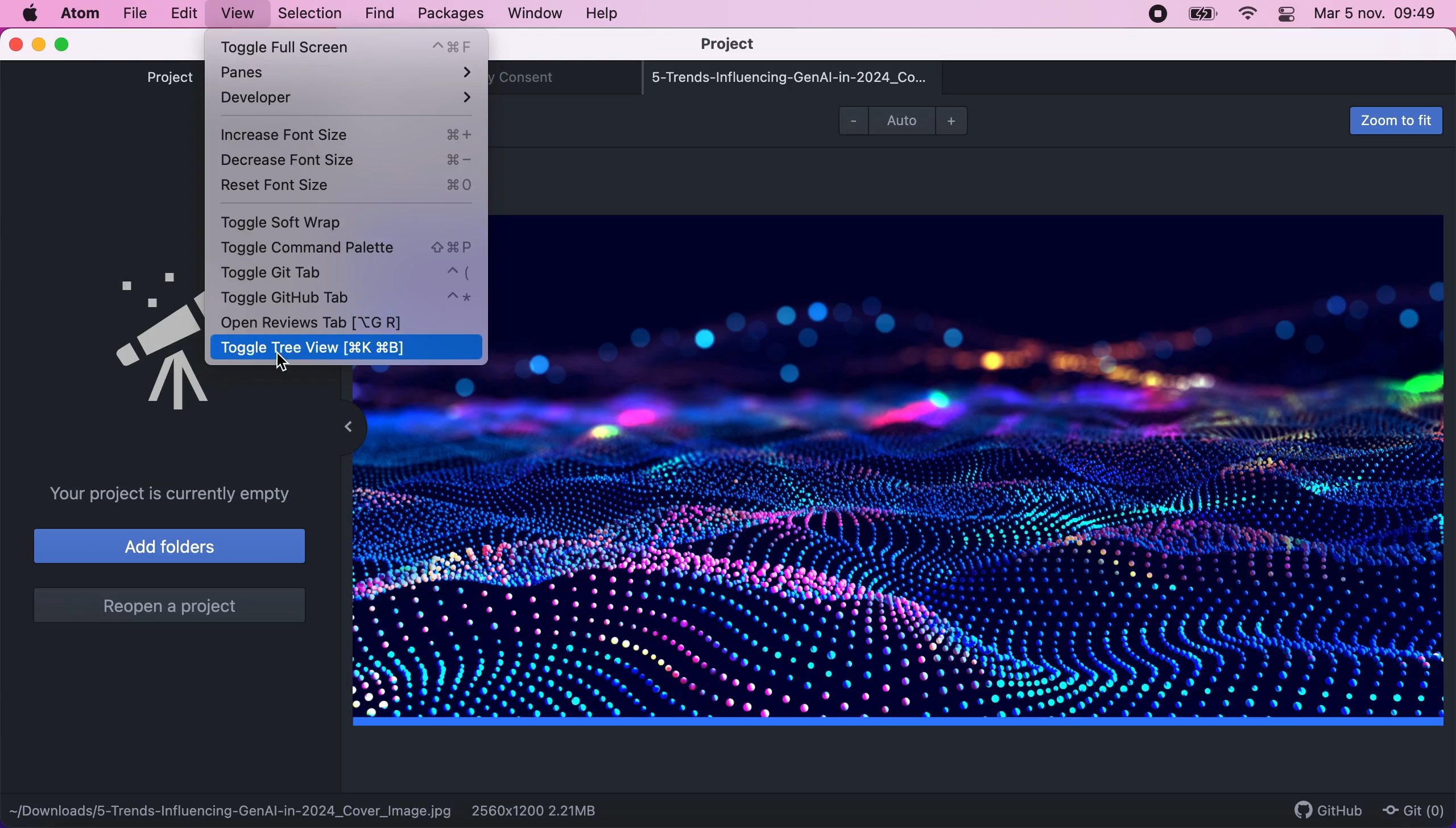 The width and height of the screenshot is (1456, 828). I want to click on close, so click(15, 45).